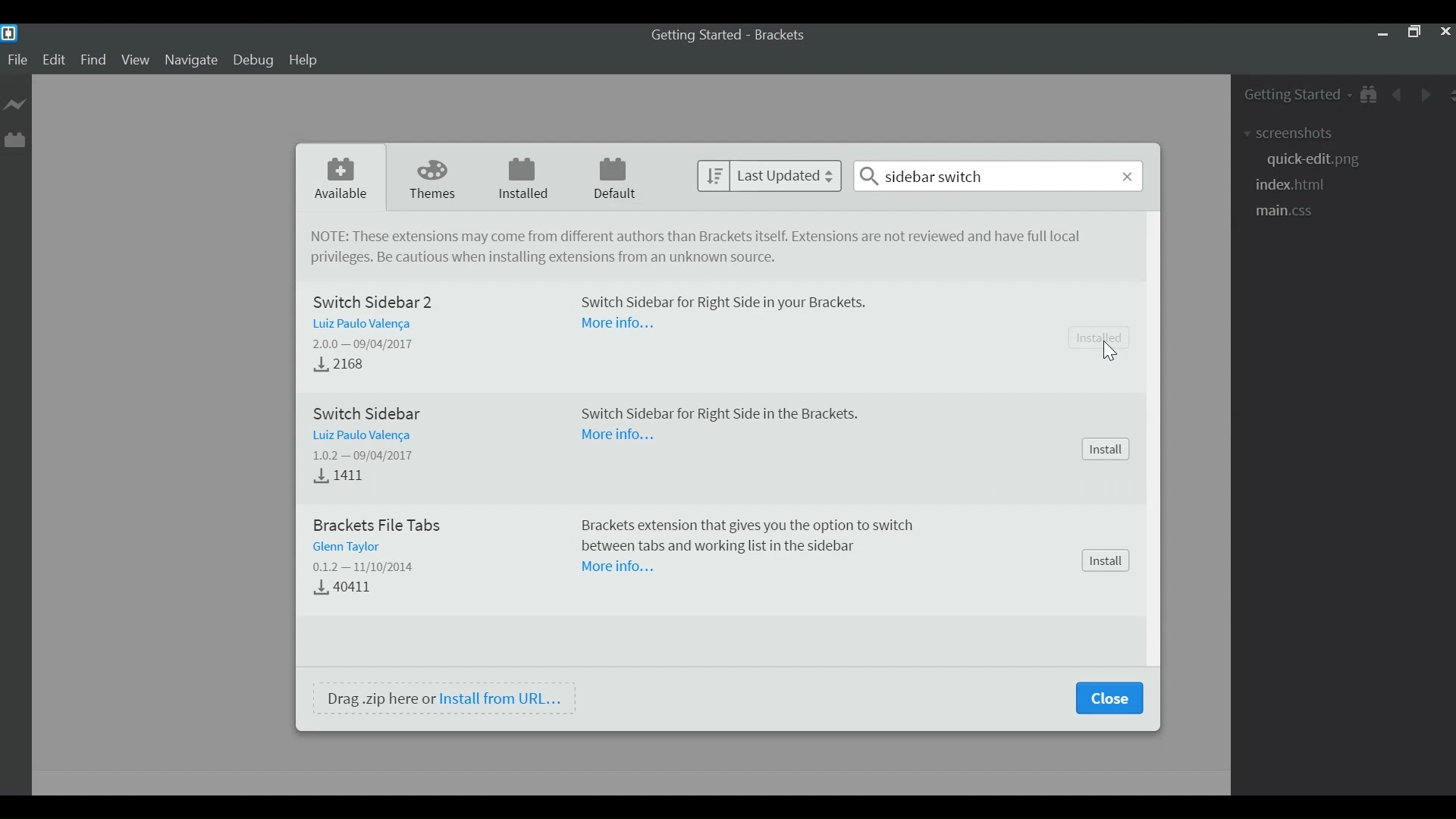 The image size is (1456, 819). What do you see at coordinates (372, 302) in the screenshot?
I see `Switch Sidebar 2` at bounding box center [372, 302].